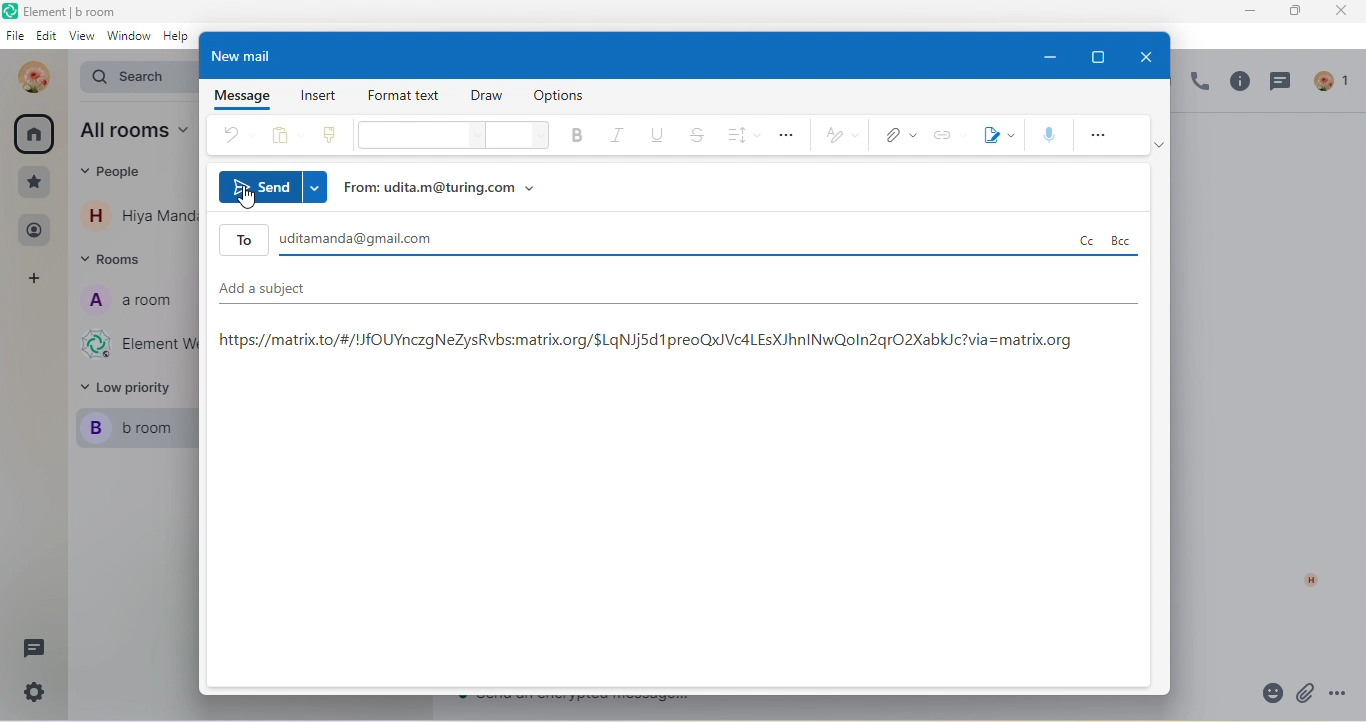  Describe the element at coordinates (31, 697) in the screenshot. I see `setting` at that location.